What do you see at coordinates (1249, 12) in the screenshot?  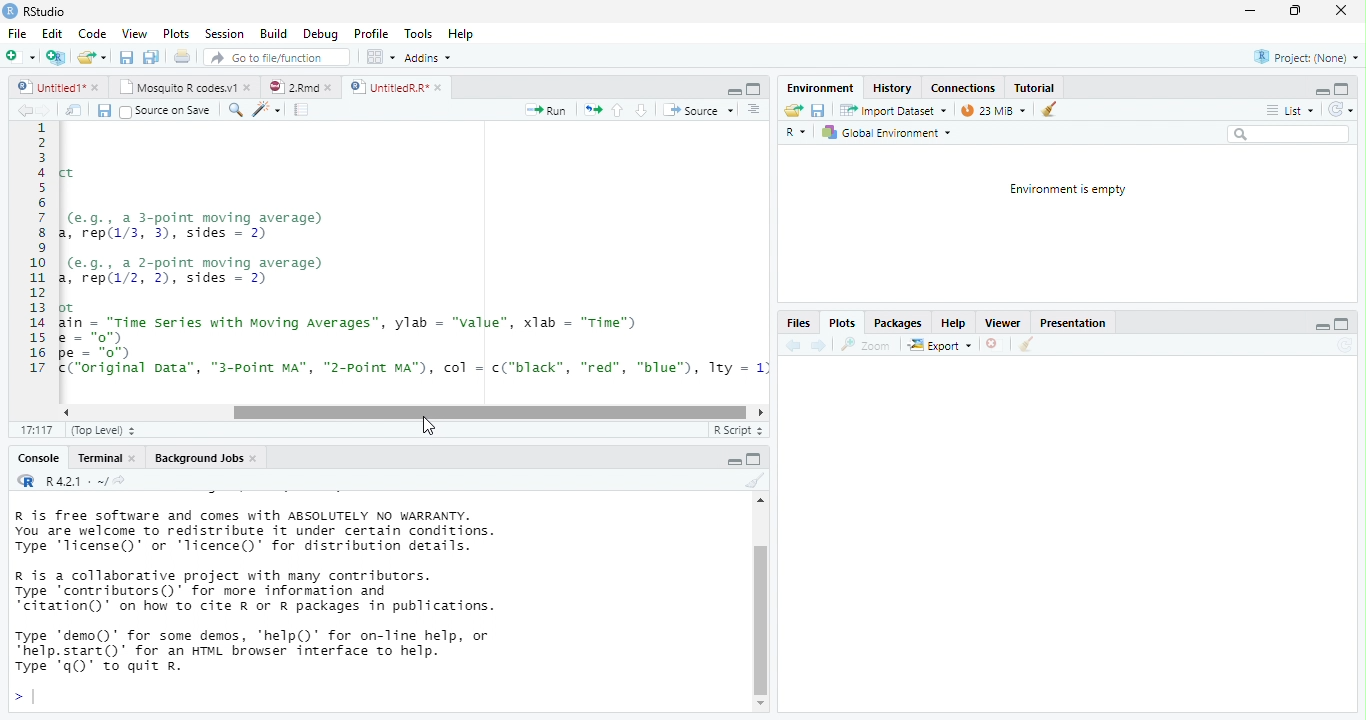 I see `minimize` at bounding box center [1249, 12].